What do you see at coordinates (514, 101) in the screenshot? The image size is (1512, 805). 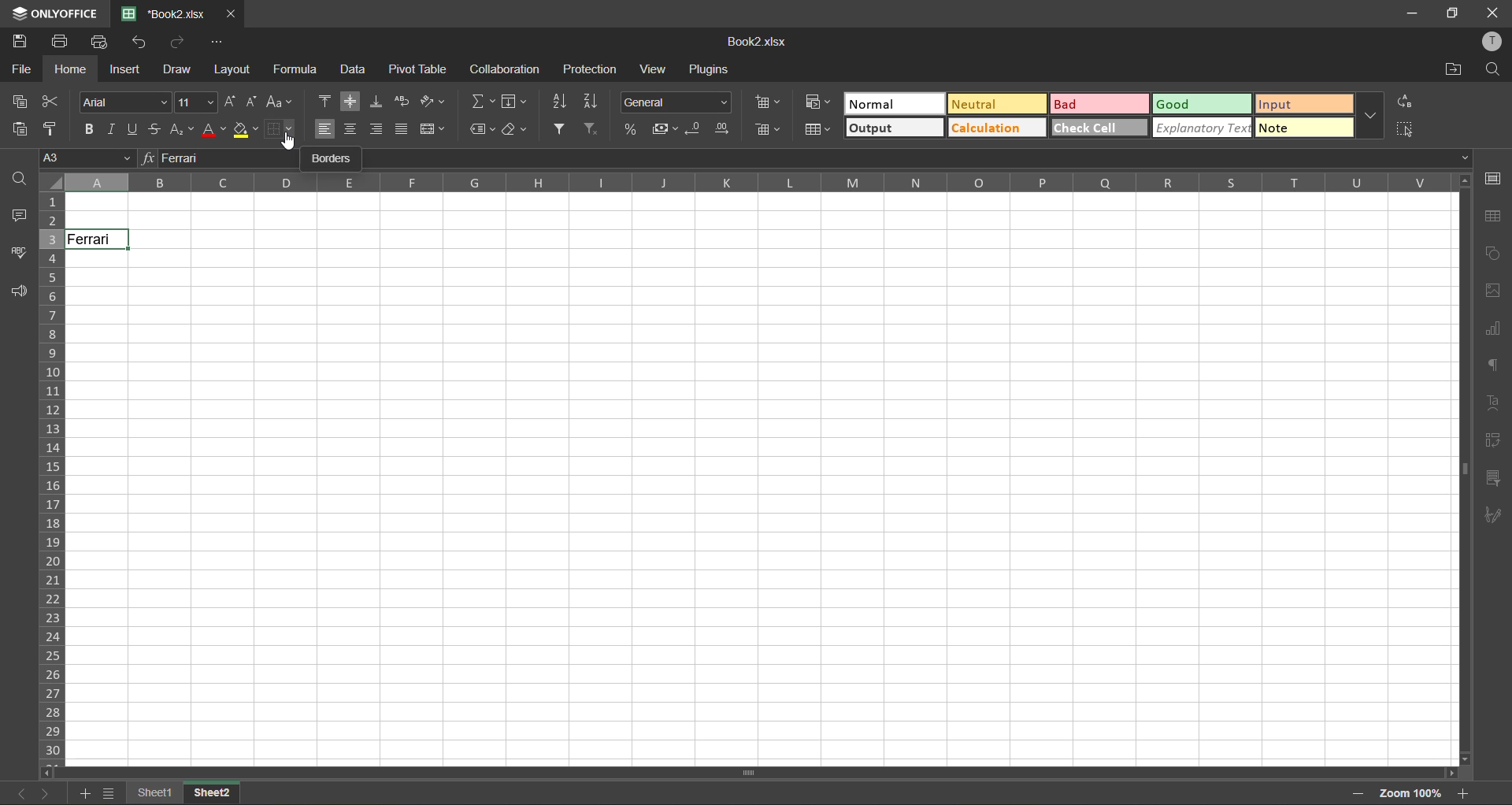 I see `fields` at bounding box center [514, 101].